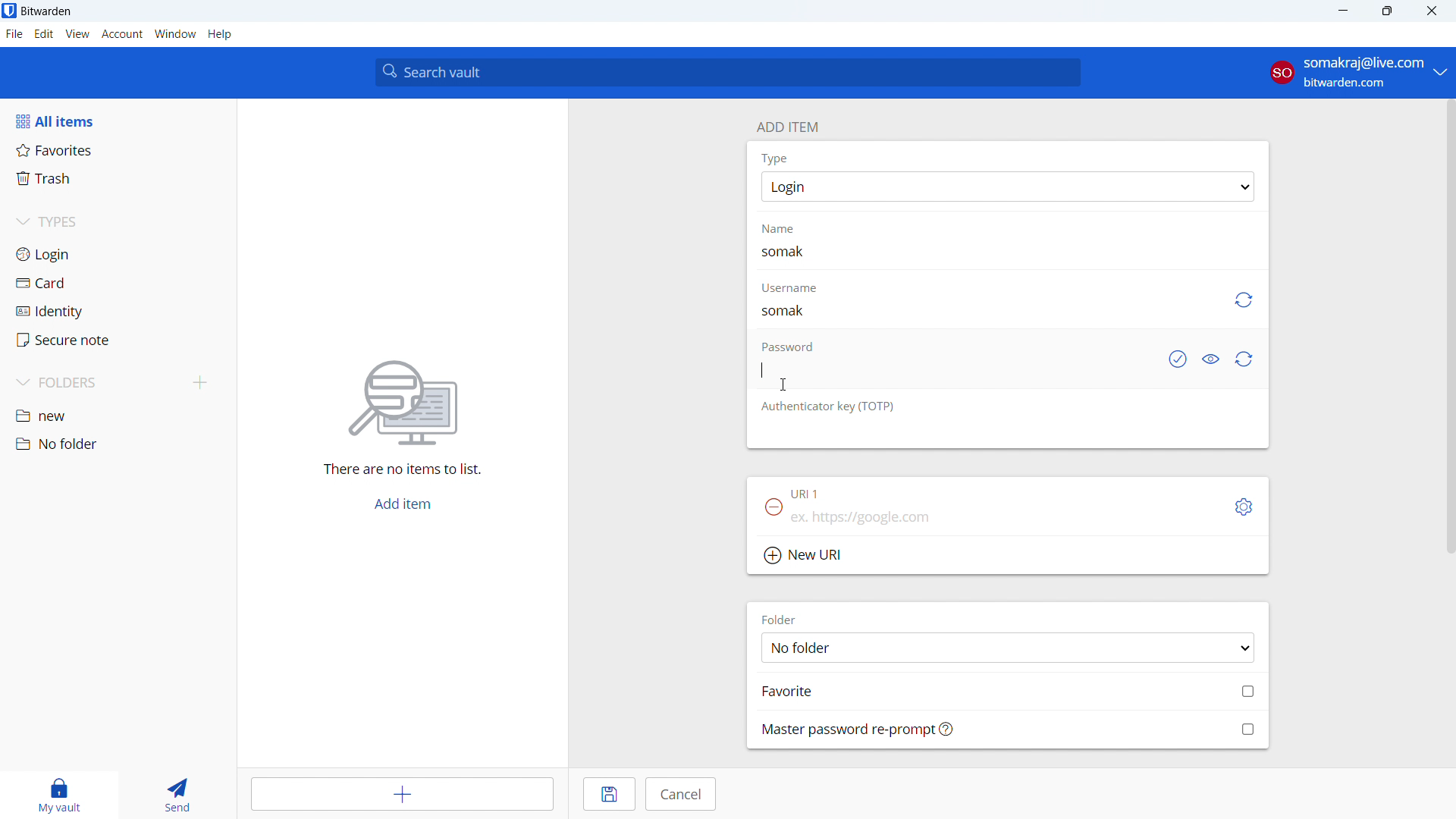  I want to click on folders, so click(96, 383).